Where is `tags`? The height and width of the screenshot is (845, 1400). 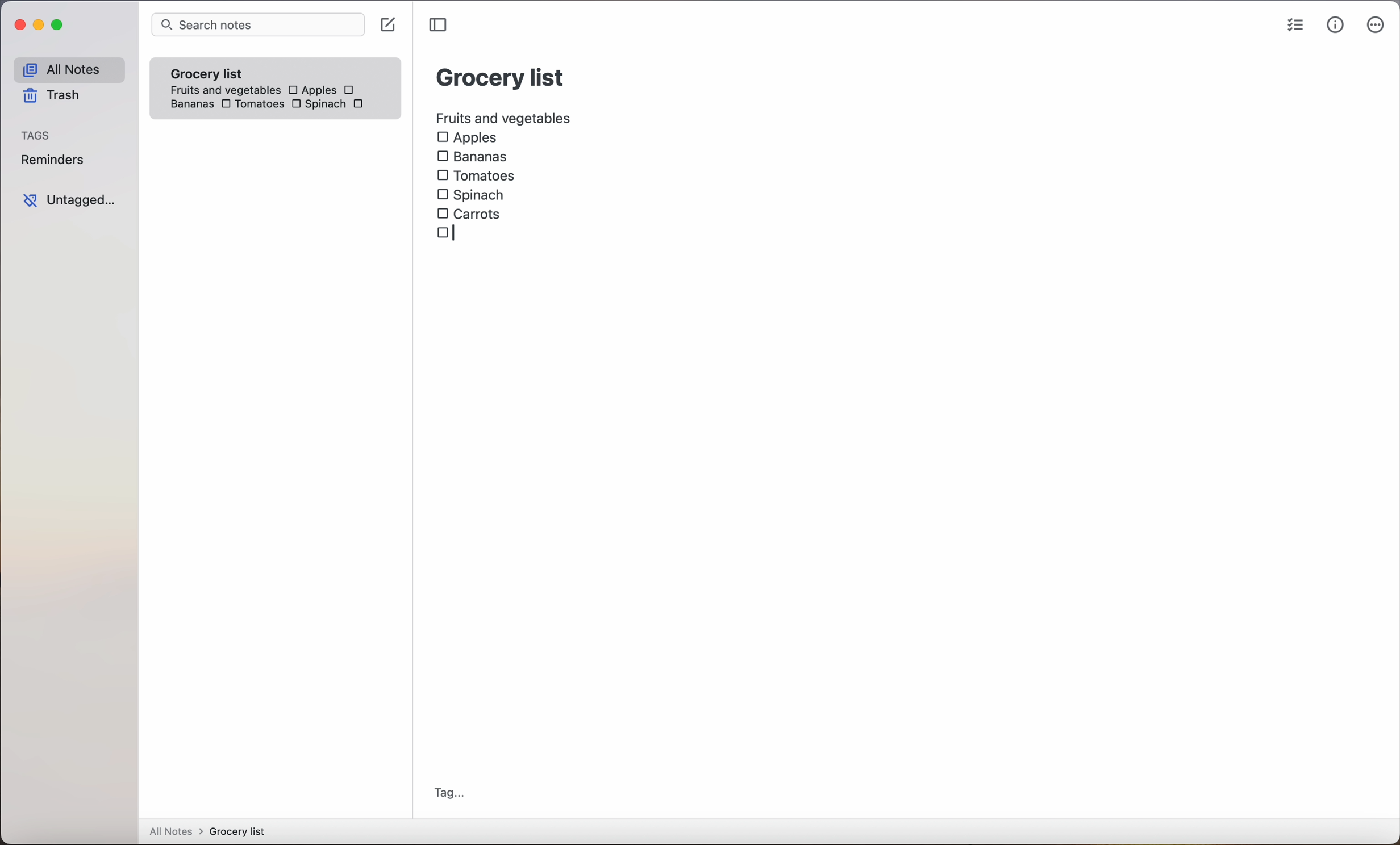 tags is located at coordinates (37, 136).